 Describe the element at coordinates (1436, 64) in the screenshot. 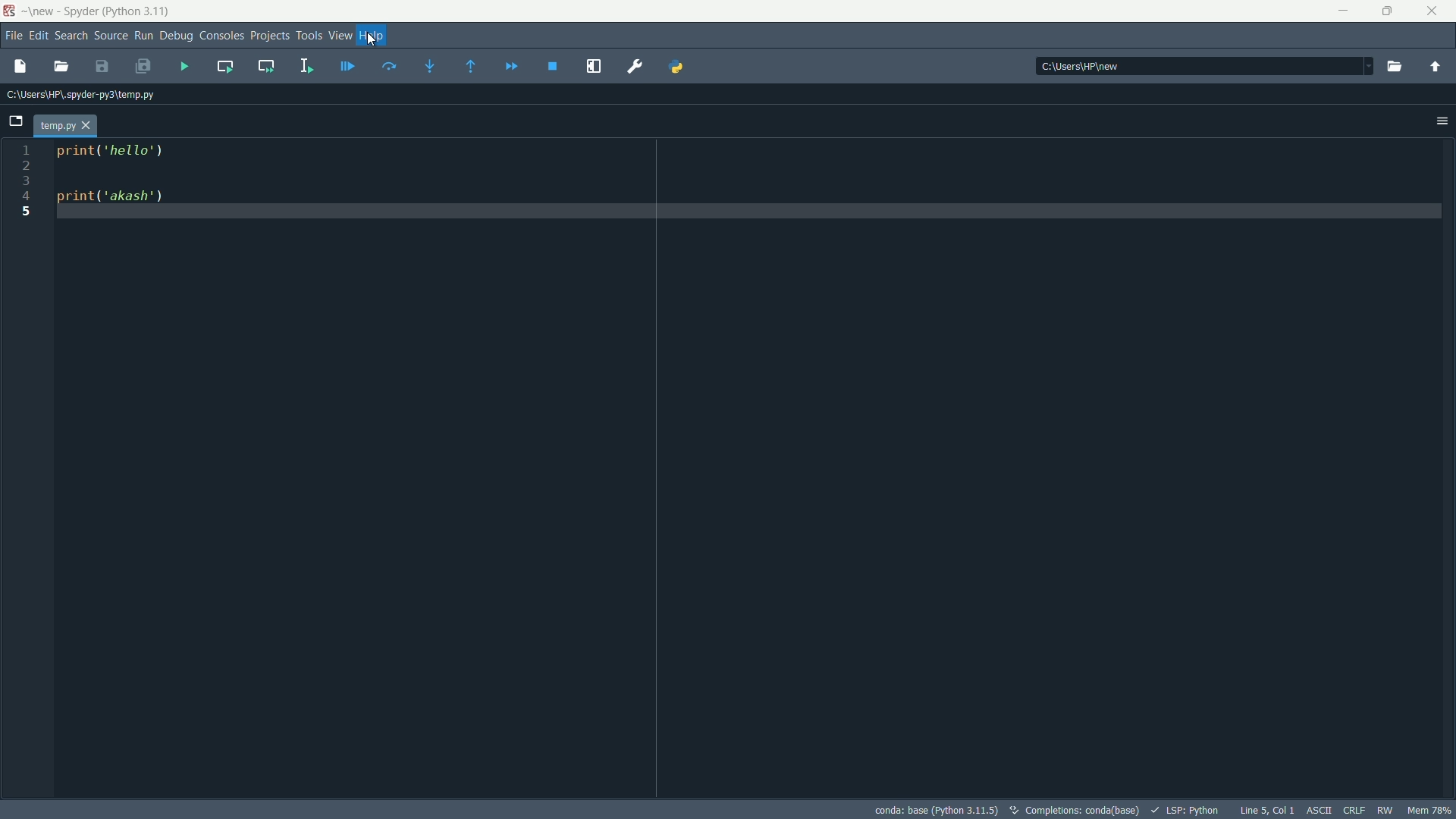

I see `change to parent directory` at that location.